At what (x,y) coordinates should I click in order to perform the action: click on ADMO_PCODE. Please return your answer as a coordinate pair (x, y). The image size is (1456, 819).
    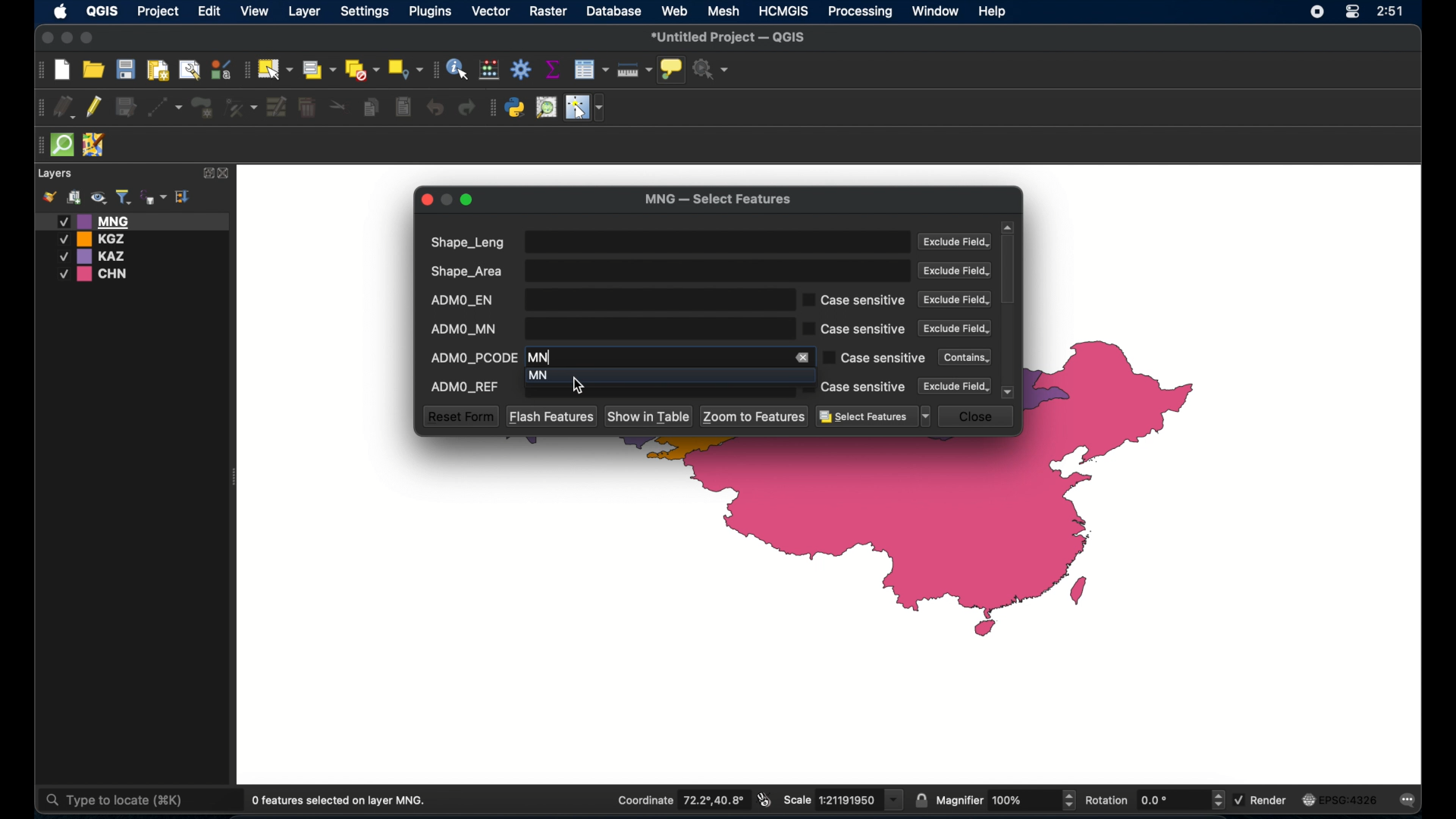
    Looking at the image, I should click on (473, 356).